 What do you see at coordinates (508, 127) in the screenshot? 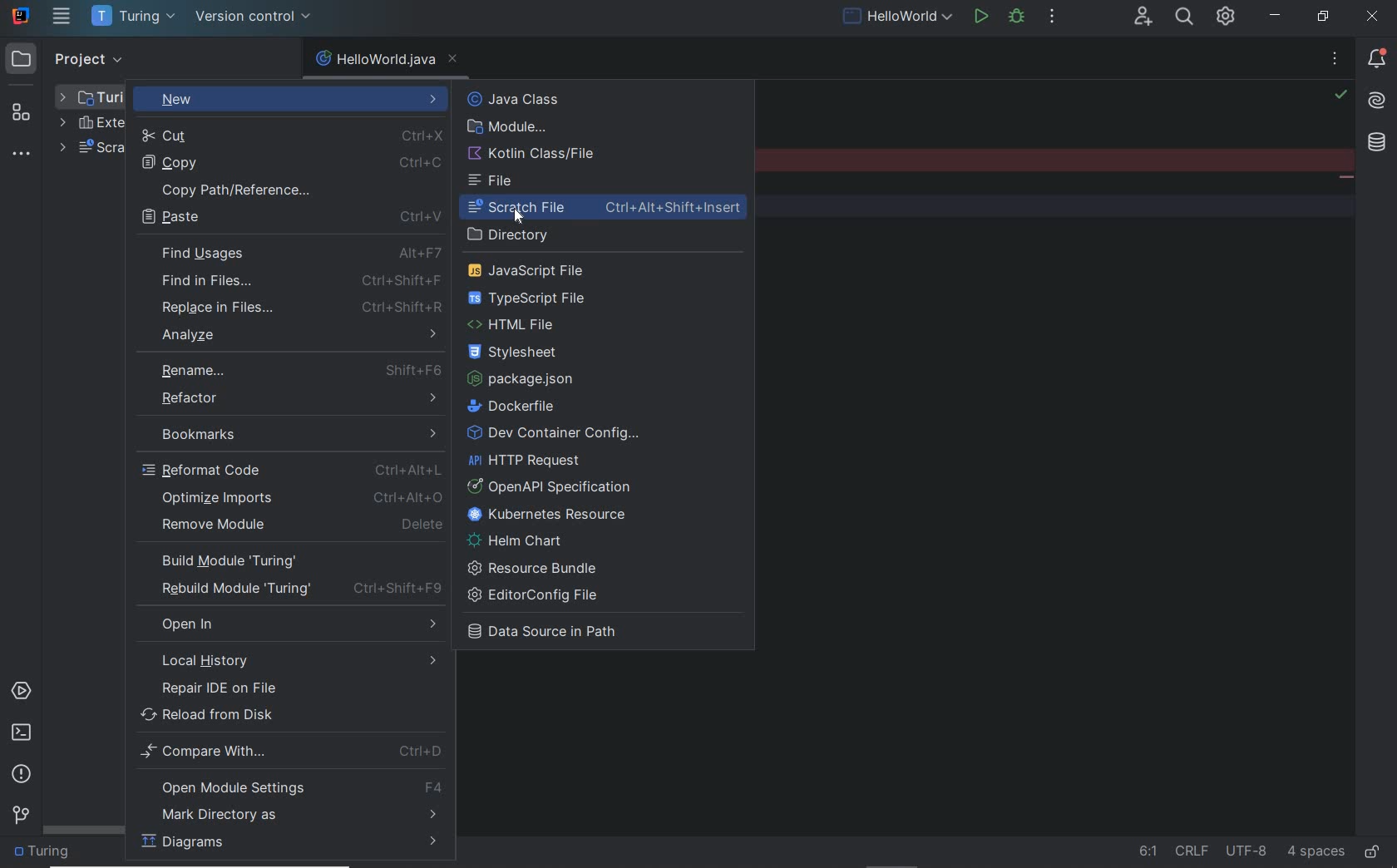
I see `module` at bounding box center [508, 127].